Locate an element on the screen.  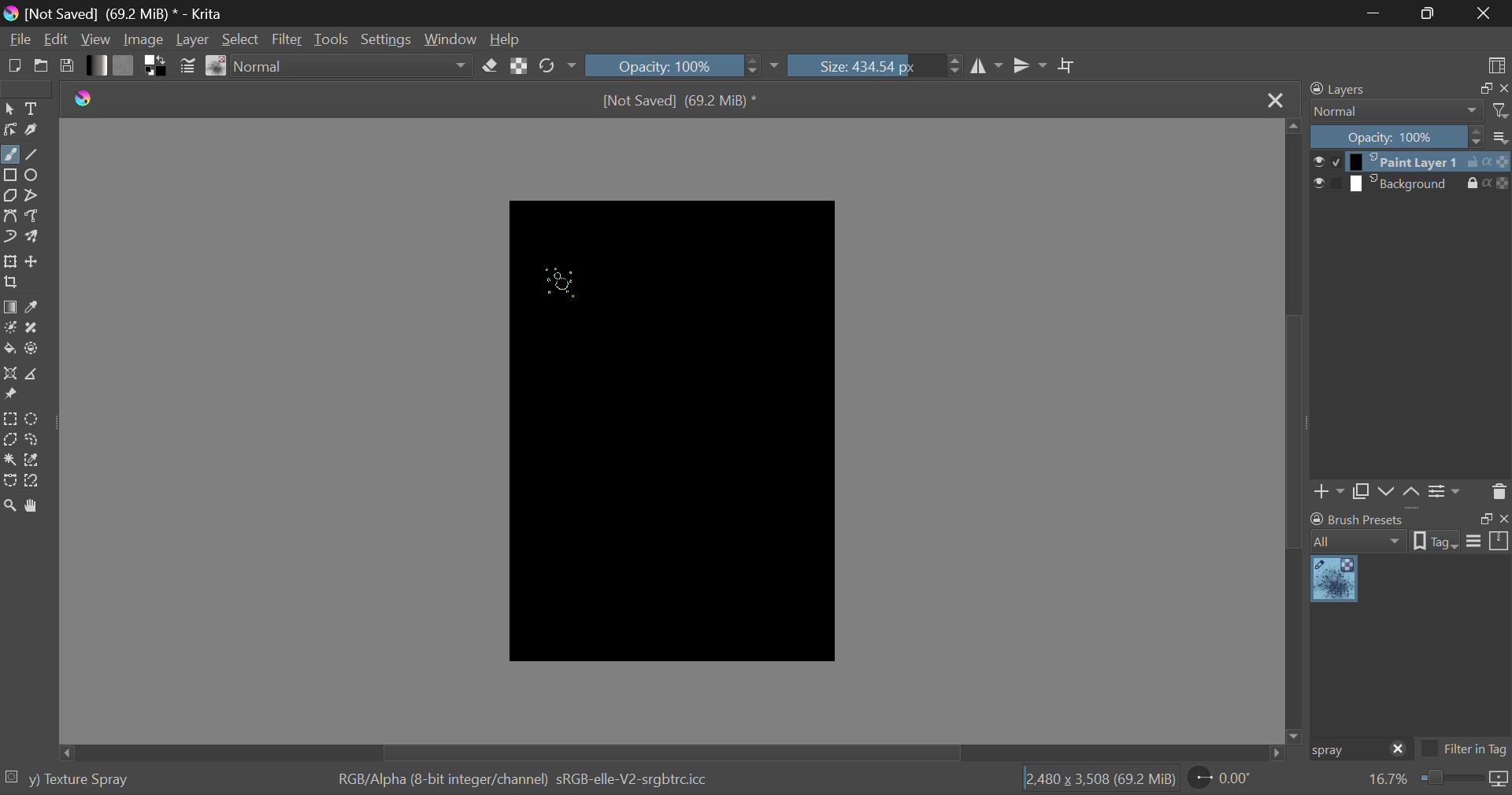
Freehand Selection is located at coordinates (33, 439).